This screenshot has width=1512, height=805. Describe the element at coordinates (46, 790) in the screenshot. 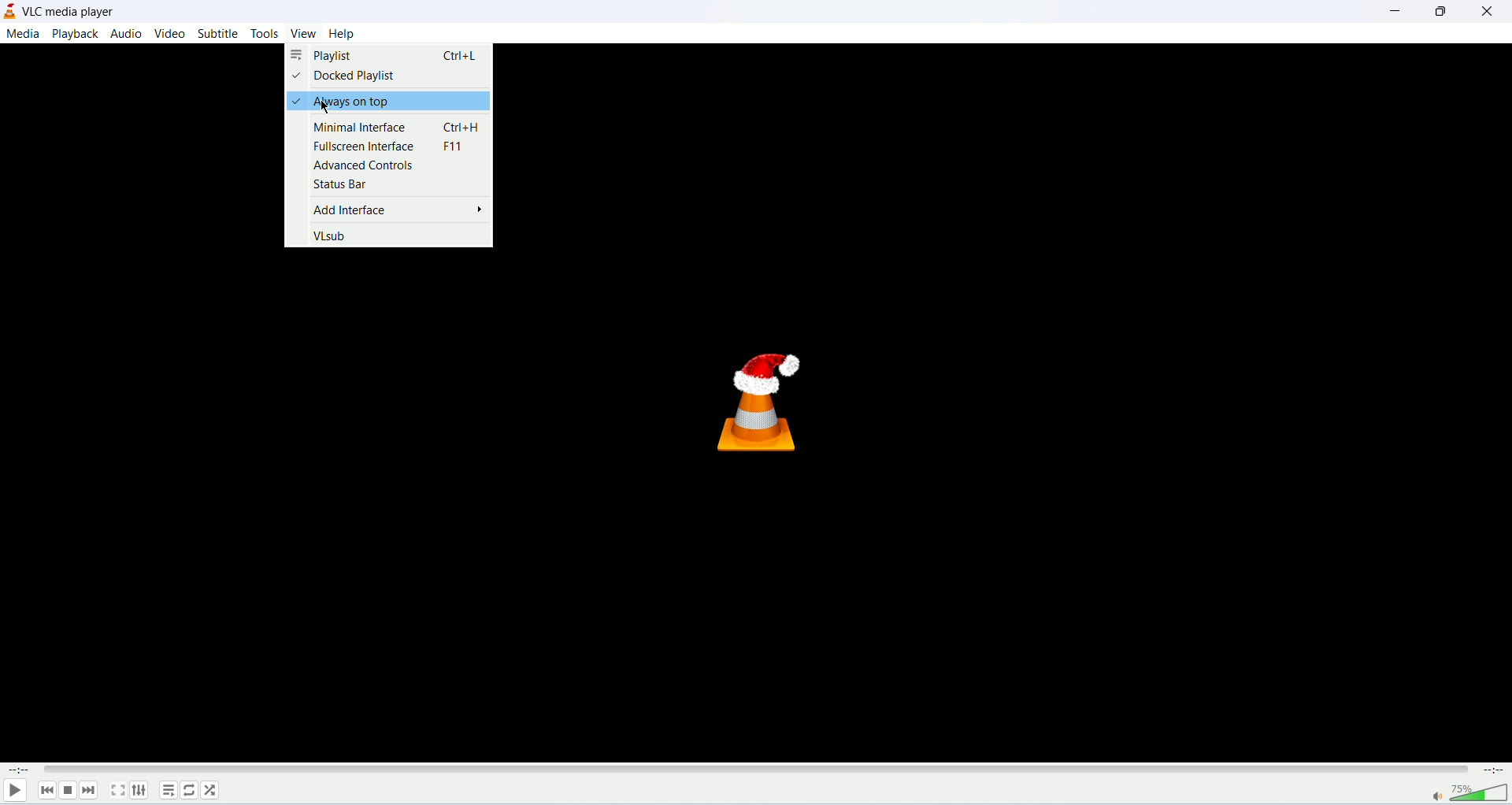

I see `Previous` at that location.